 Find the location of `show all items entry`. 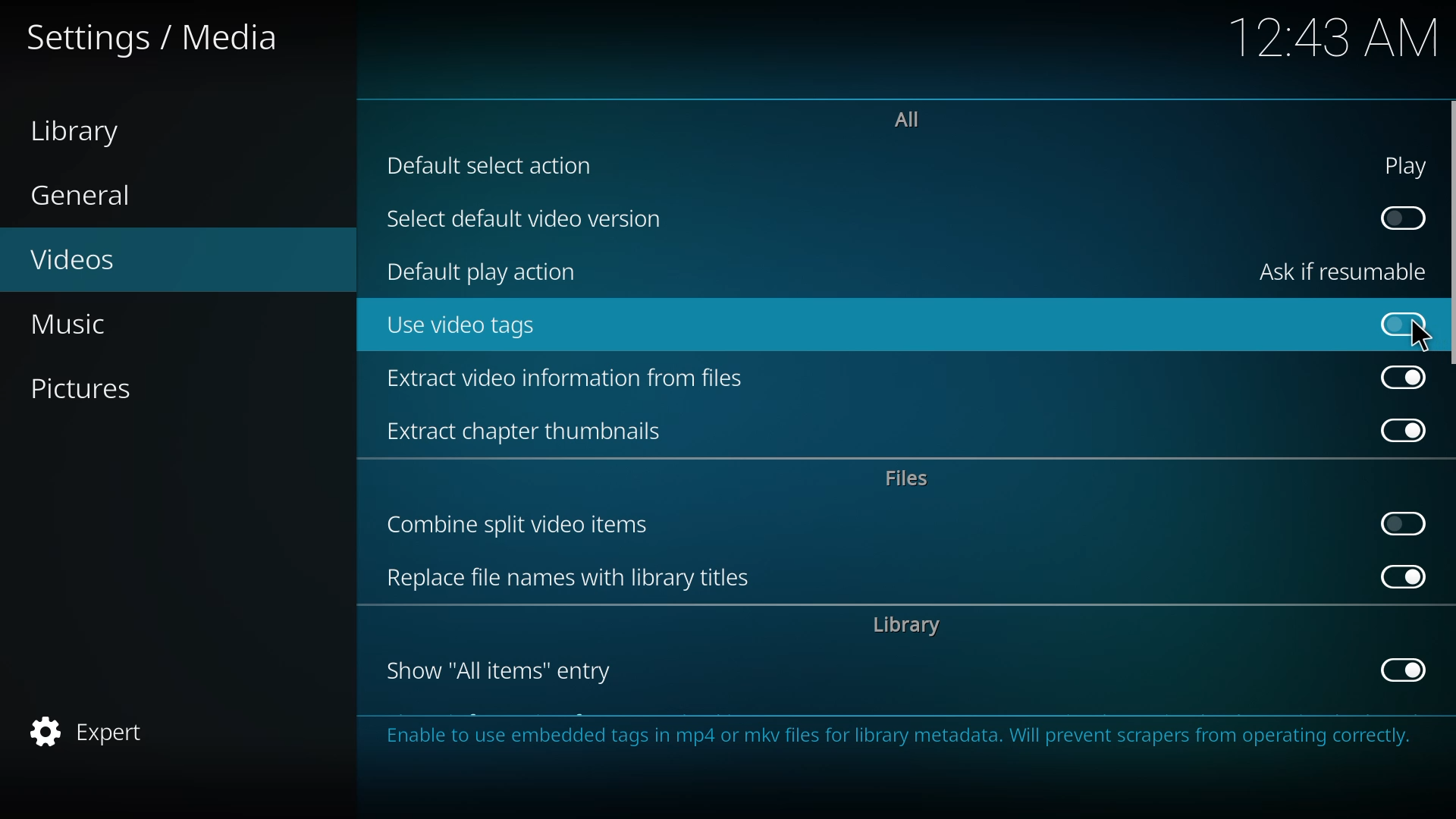

show all items entry is located at coordinates (507, 670).